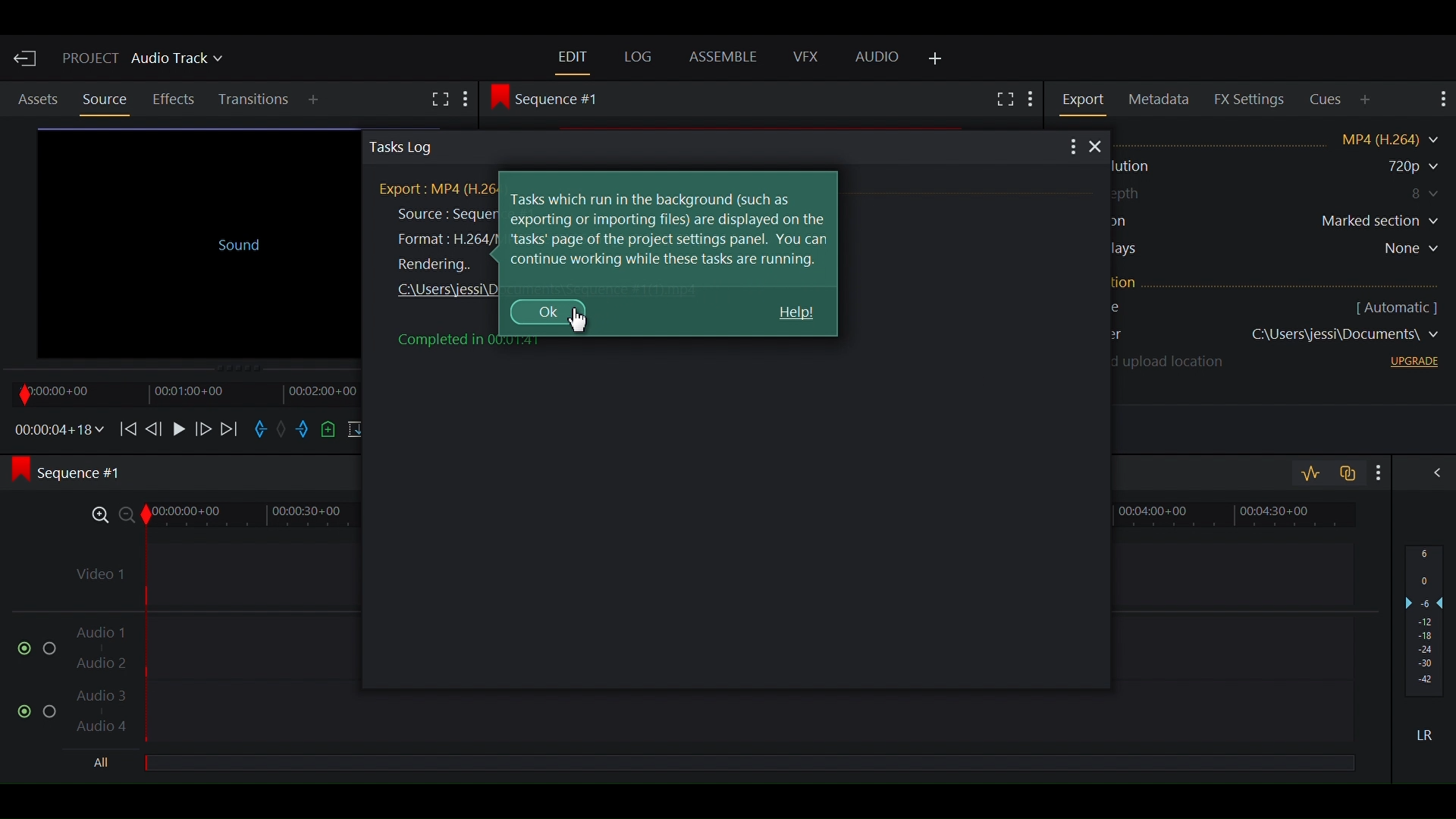 This screenshot has height=819, width=1456. I want to click on All, so click(748, 764).